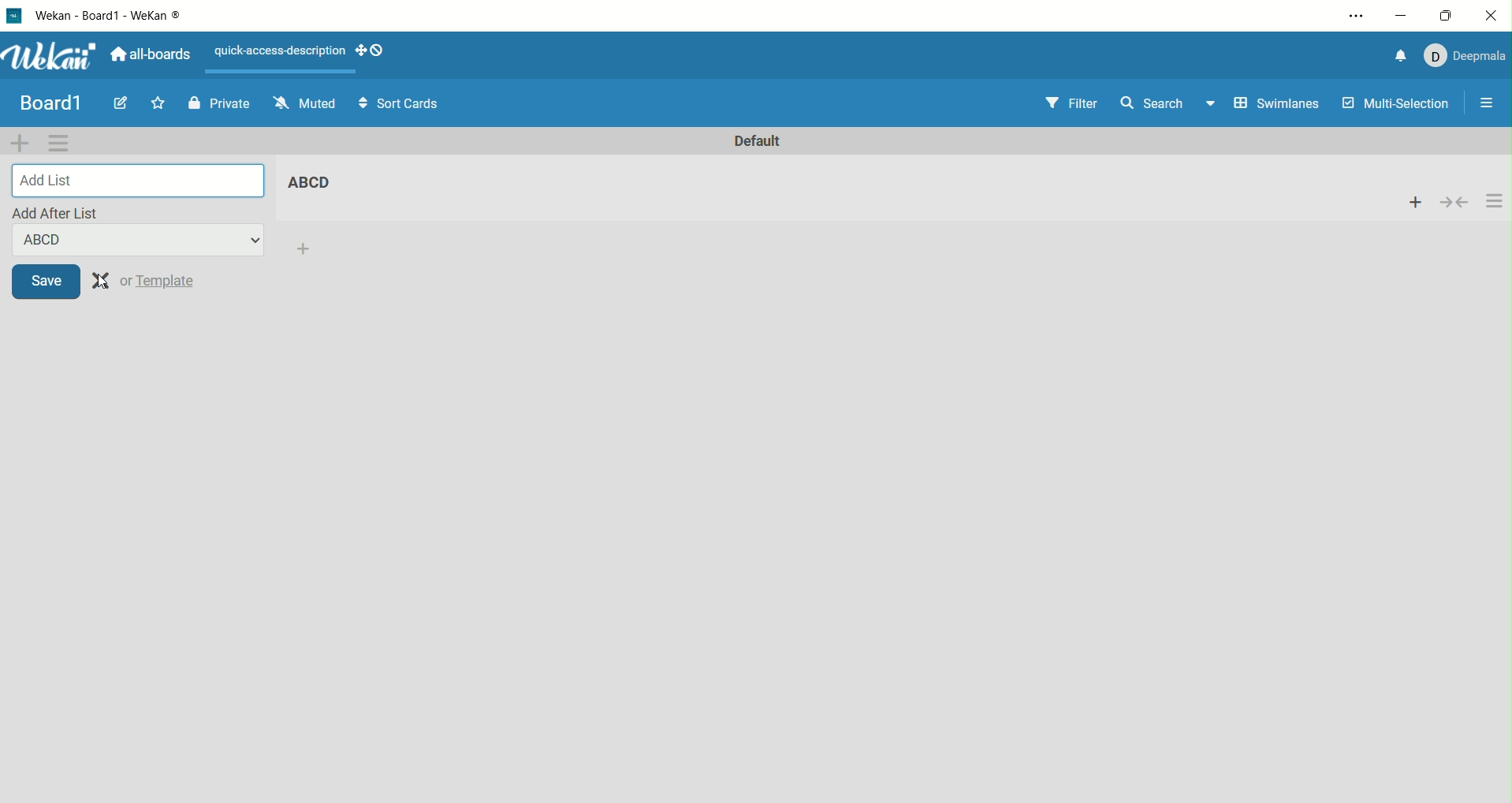 The width and height of the screenshot is (1512, 803). Describe the element at coordinates (1495, 200) in the screenshot. I see `actions` at that location.